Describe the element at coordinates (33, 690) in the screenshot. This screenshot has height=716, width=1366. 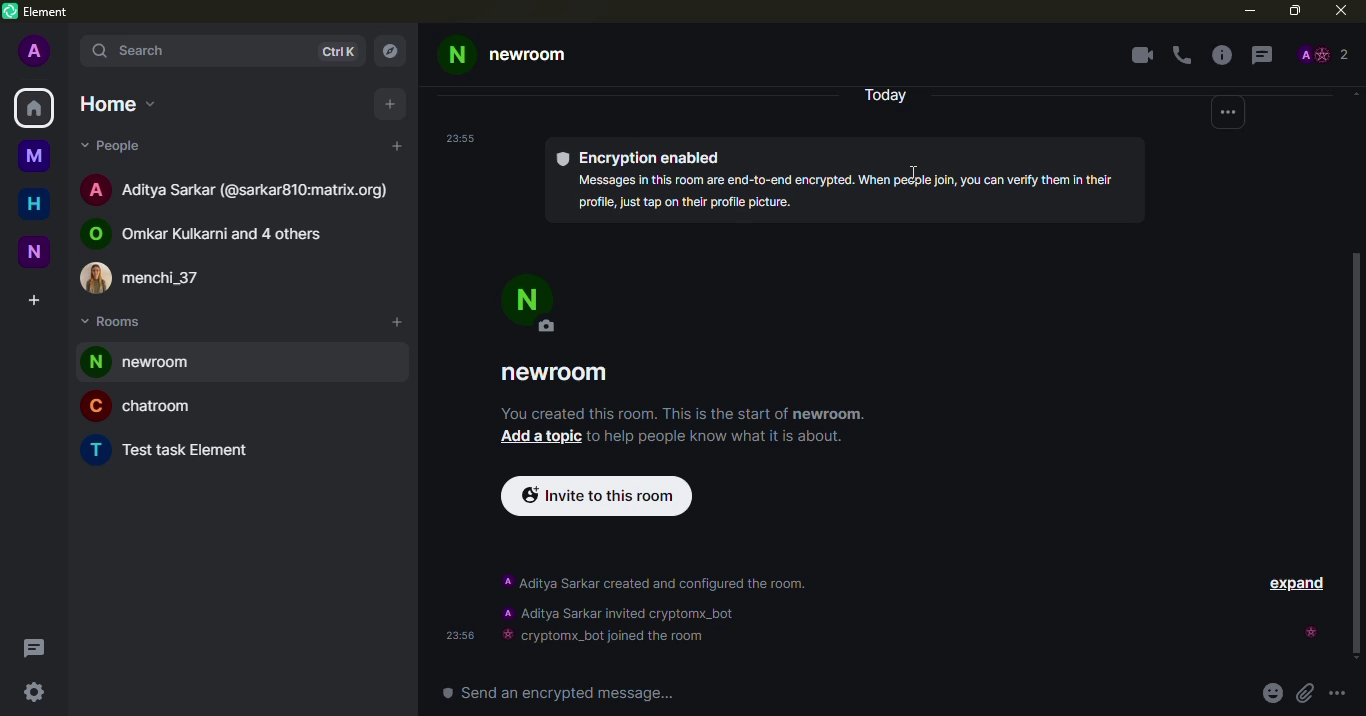
I see `quick settings` at that location.